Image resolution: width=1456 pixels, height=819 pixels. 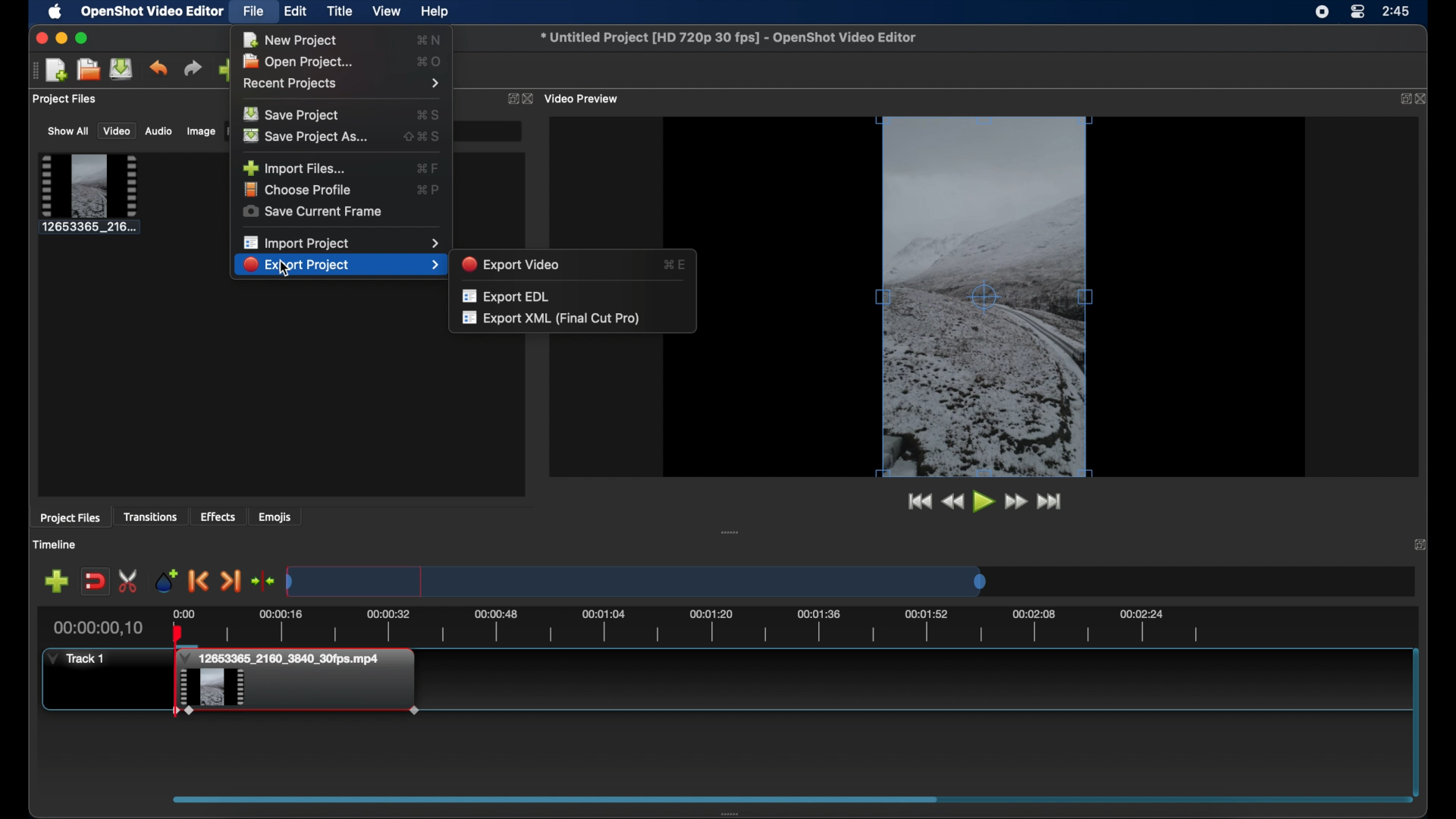 I want to click on save project, so click(x=294, y=115).